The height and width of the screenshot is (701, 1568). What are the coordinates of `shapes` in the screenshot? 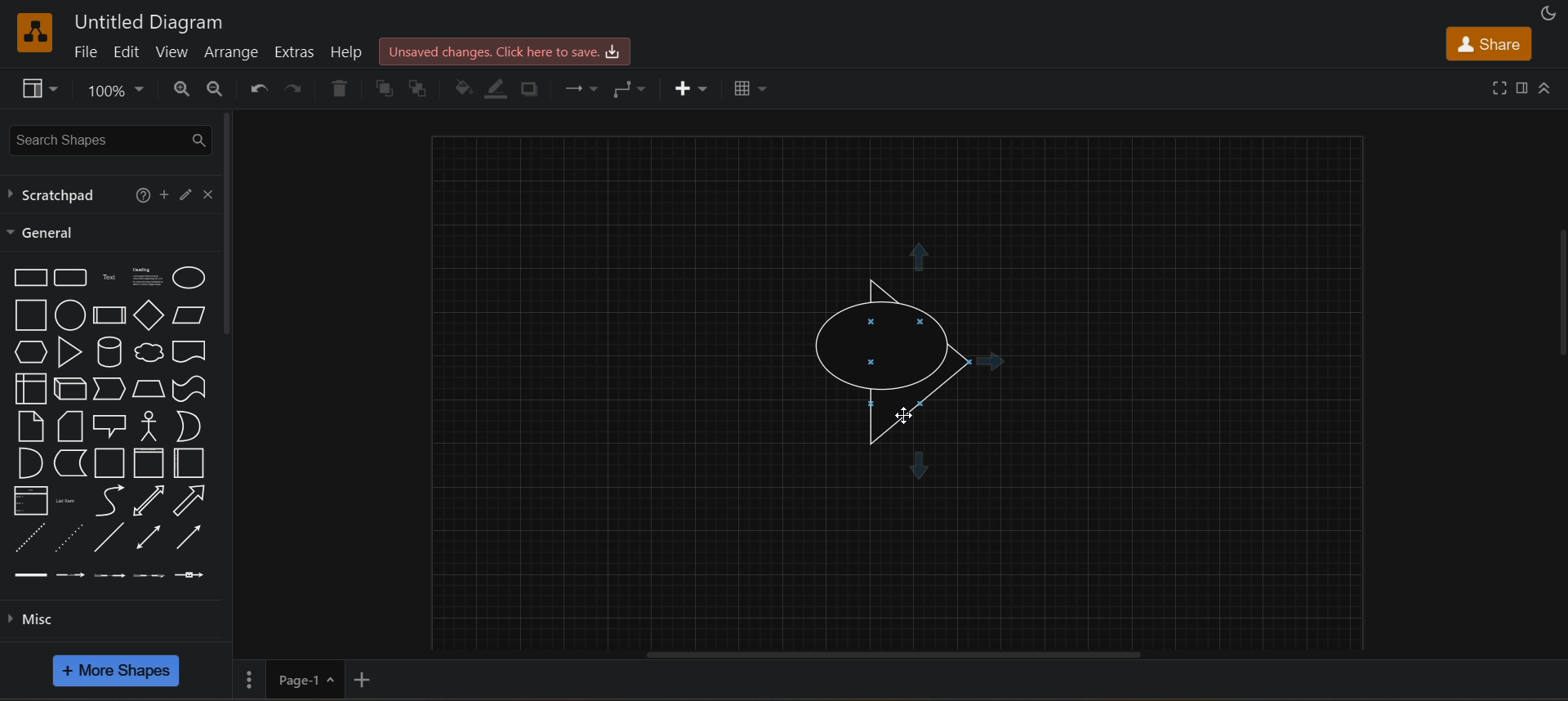 It's located at (908, 354).